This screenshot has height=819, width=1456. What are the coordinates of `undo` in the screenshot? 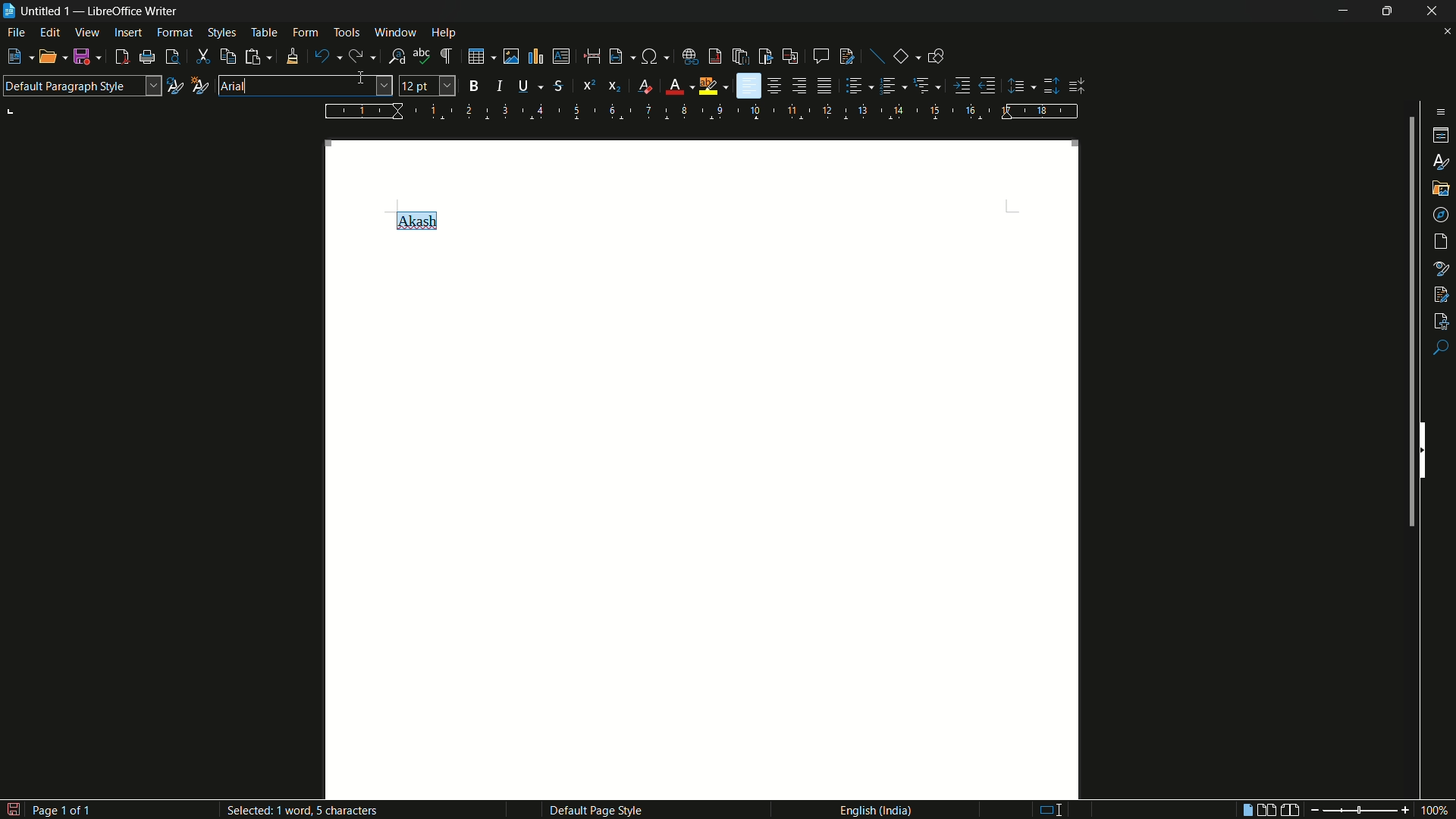 It's located at (322, 57).